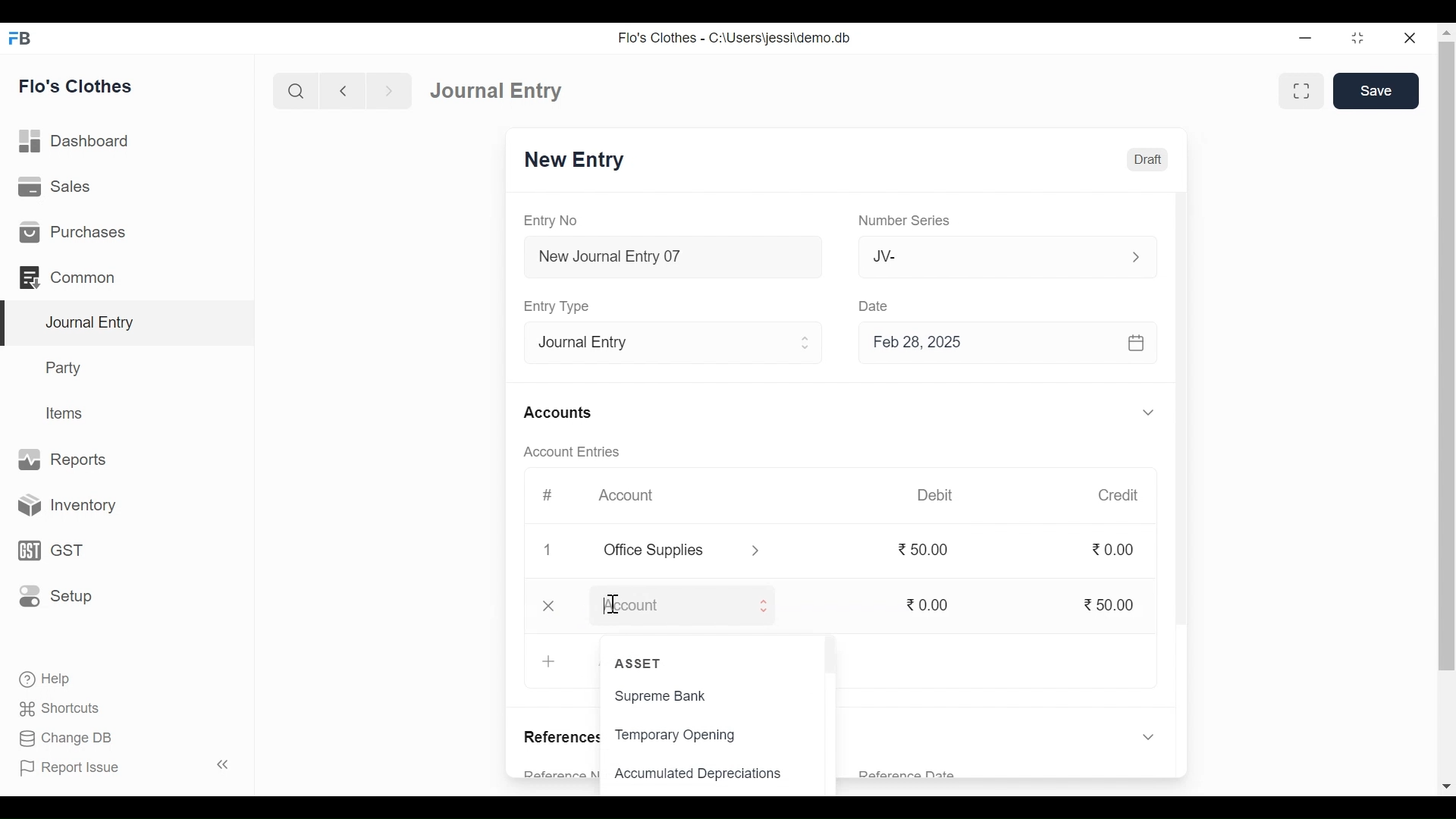 The image size is (1456, 819). I want to click on Shortcuts, so click(68, 706).